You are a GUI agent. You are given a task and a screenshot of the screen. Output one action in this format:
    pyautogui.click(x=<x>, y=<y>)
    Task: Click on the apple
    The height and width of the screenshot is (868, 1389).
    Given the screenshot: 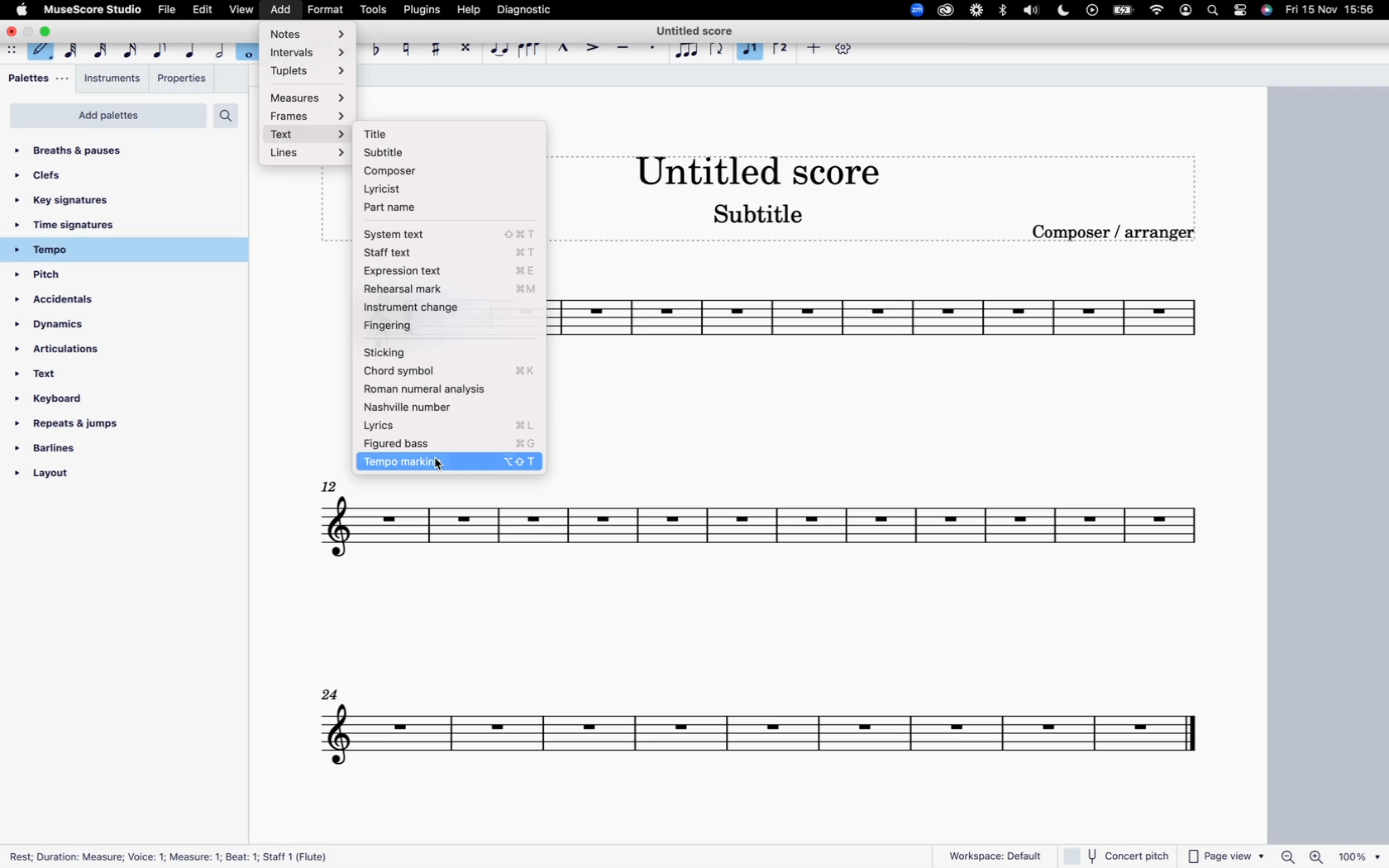 What is the action you would take?
    pyautogui.click(x=22, y=9)
    